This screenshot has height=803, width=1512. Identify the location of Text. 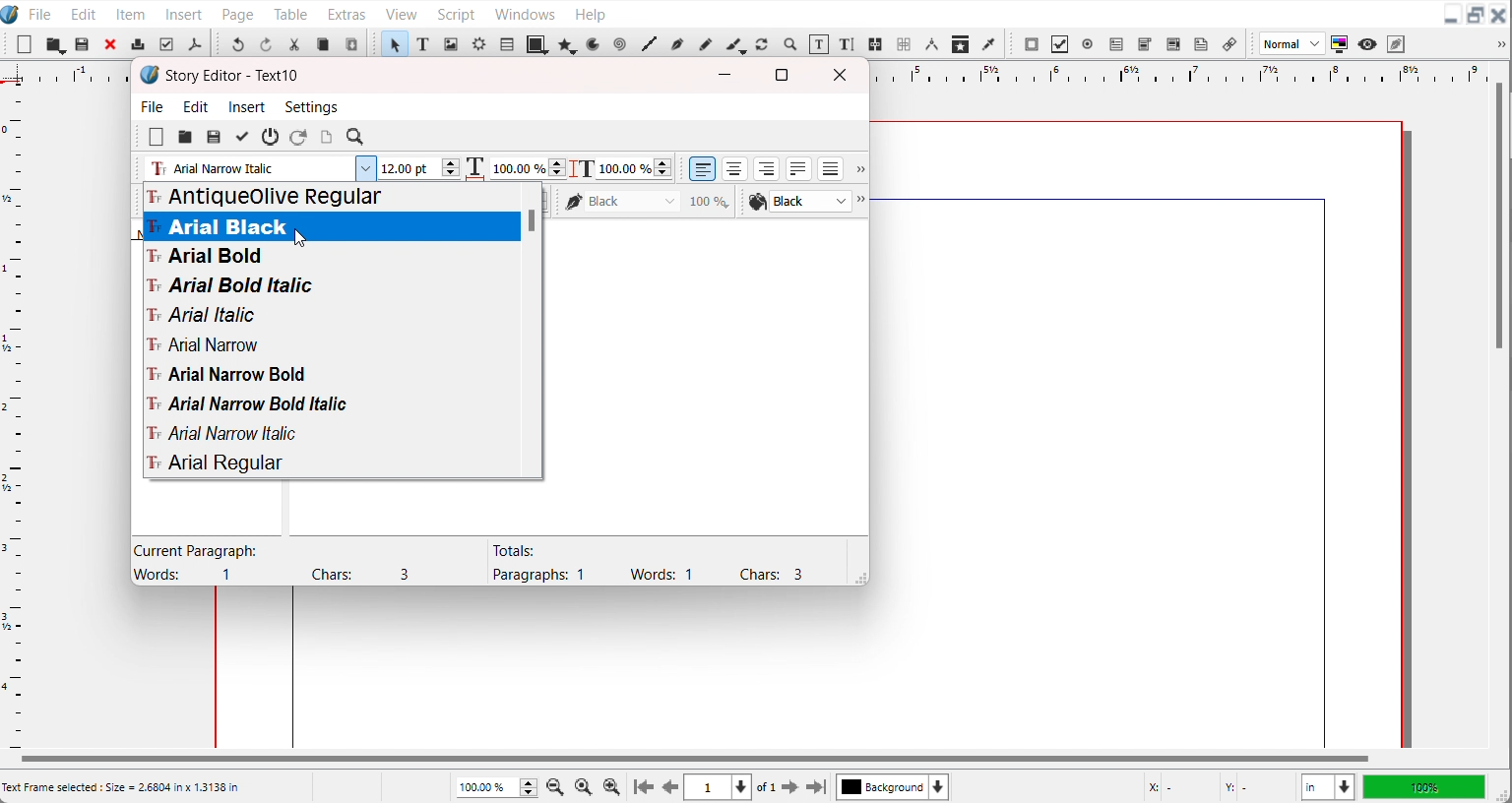
(285, 562).